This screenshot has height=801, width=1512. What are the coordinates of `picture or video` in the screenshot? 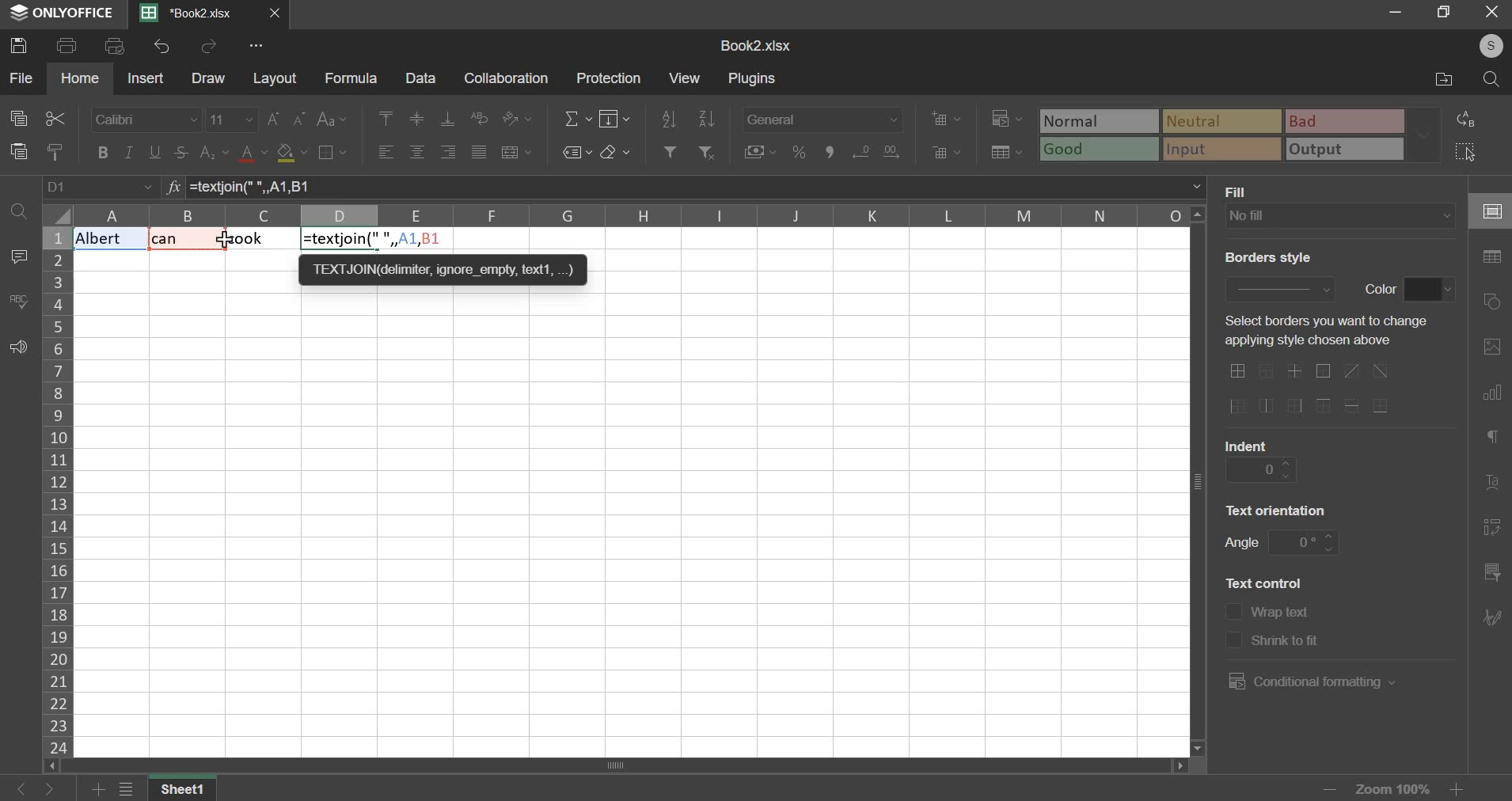 It's located at (1491, 348).